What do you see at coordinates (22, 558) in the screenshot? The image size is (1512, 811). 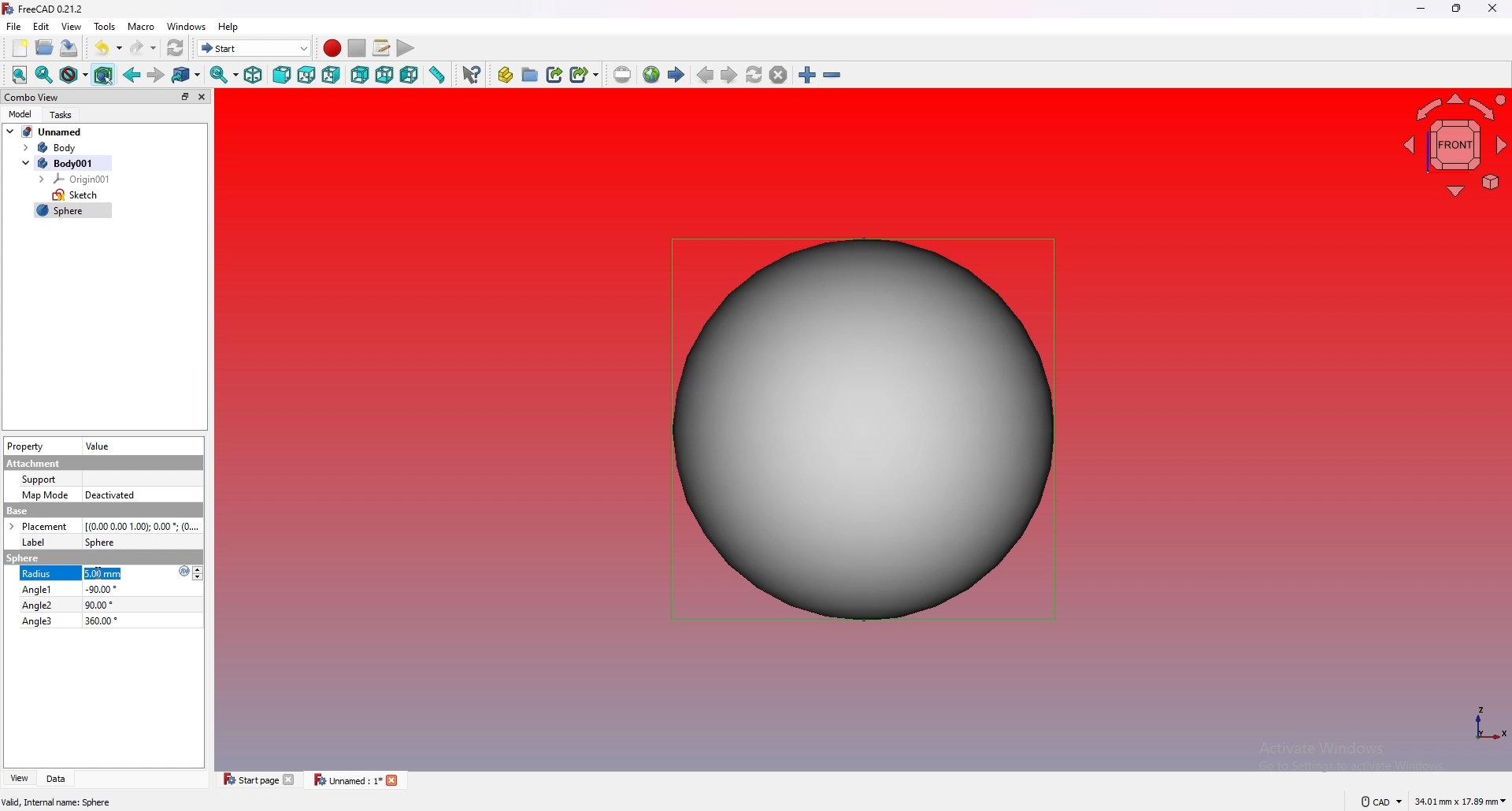 I see `sphere` at bounding box center [22, 558].